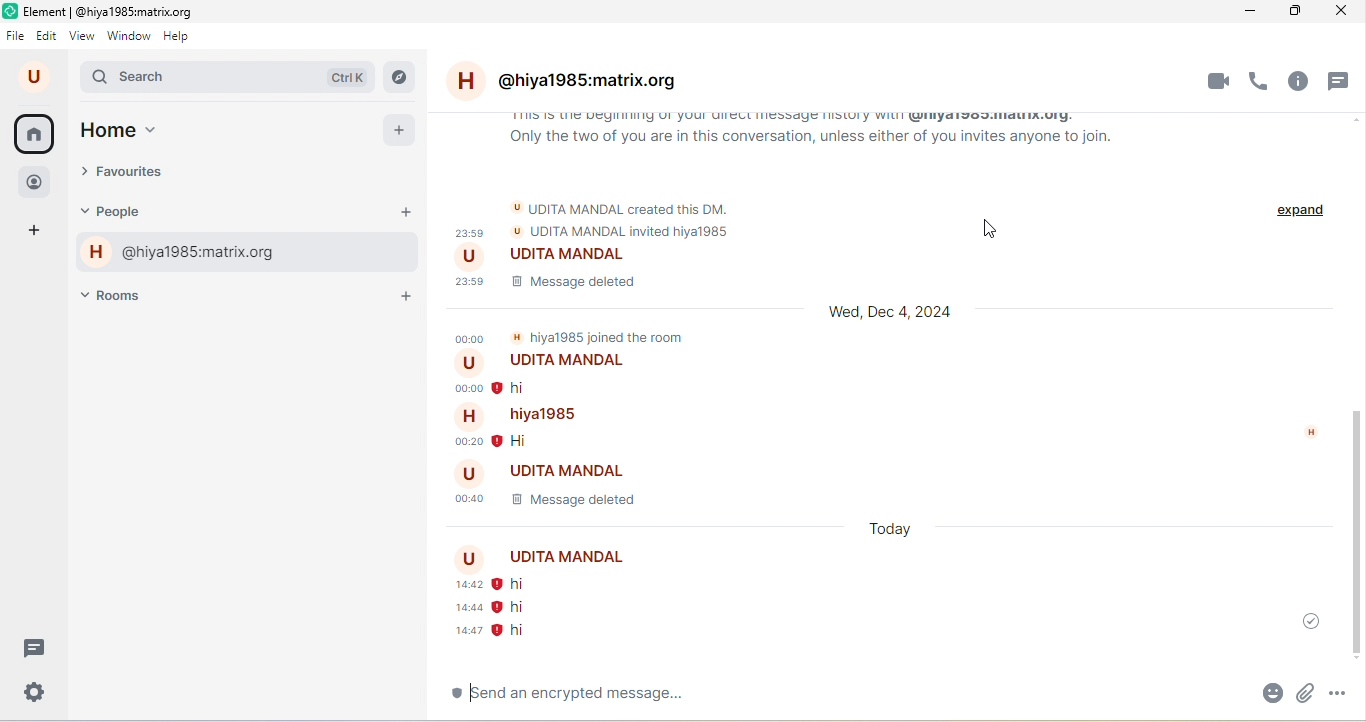  What do you see at coordinates (1302, 619) in the screenshot?
I see `message was sent` at bounding box center [1302, 619].